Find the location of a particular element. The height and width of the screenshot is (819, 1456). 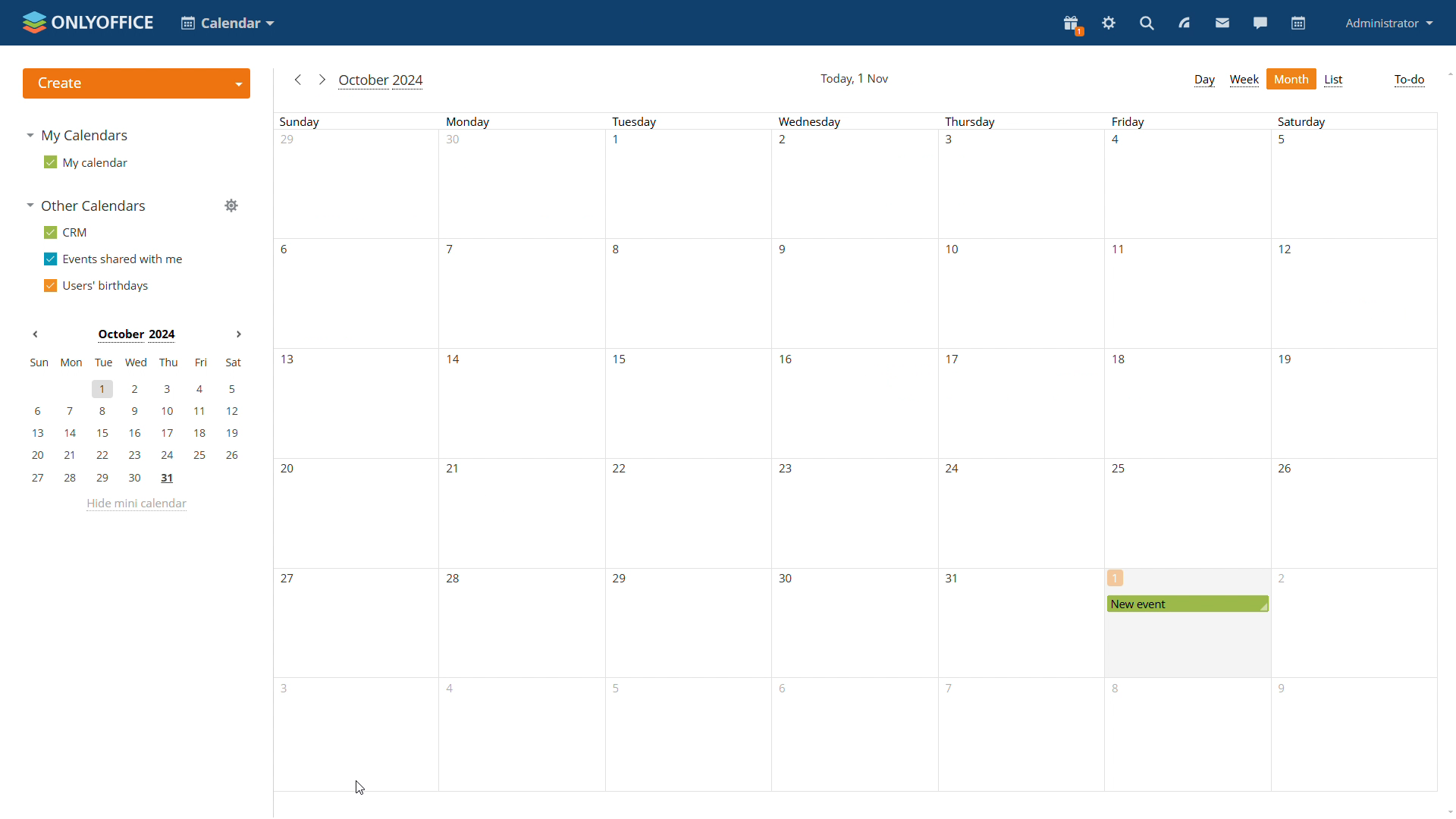

Thursday is located at coordinates (1021, 452).